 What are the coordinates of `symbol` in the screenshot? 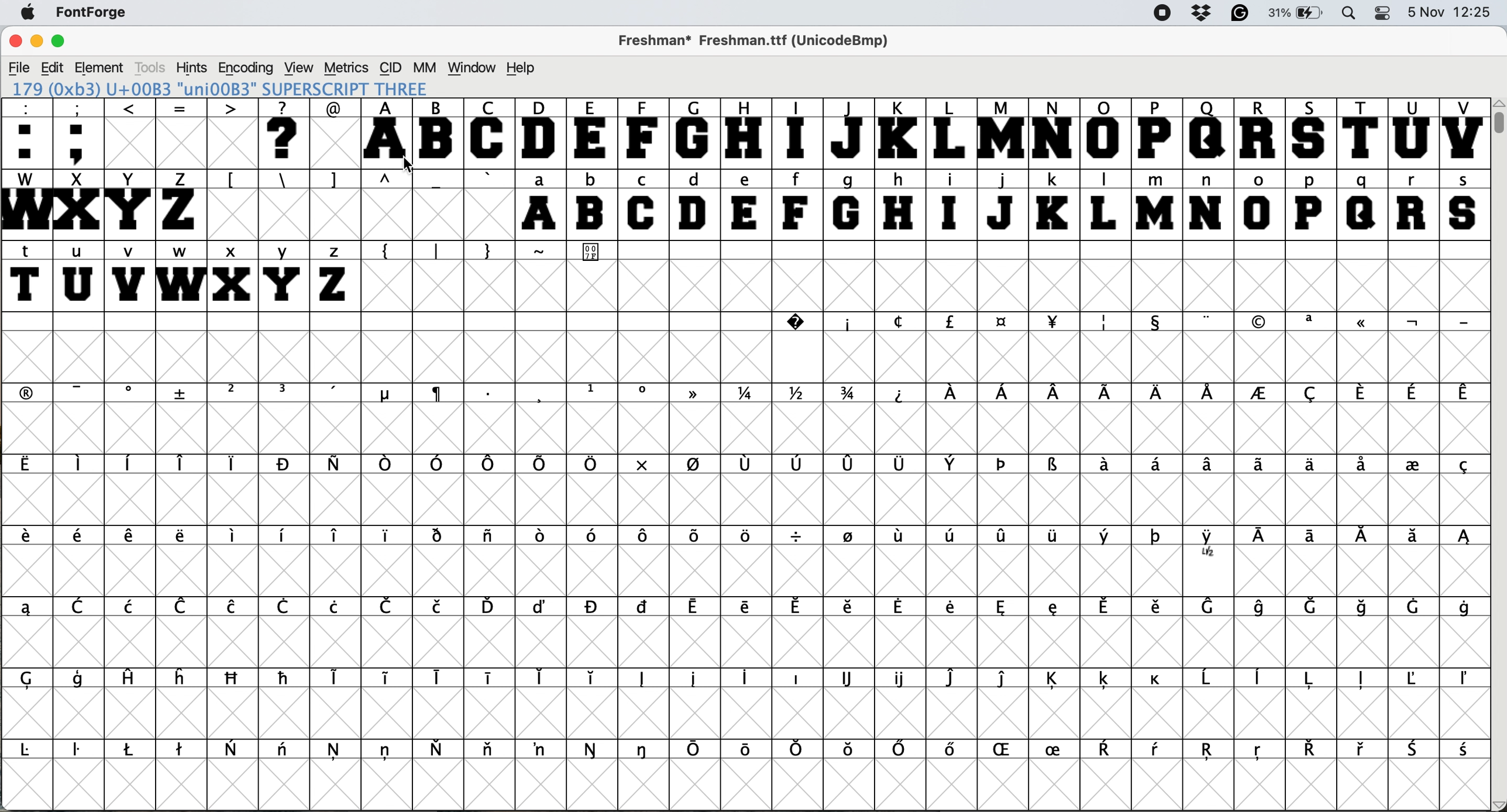 It's located at (1363, 325).